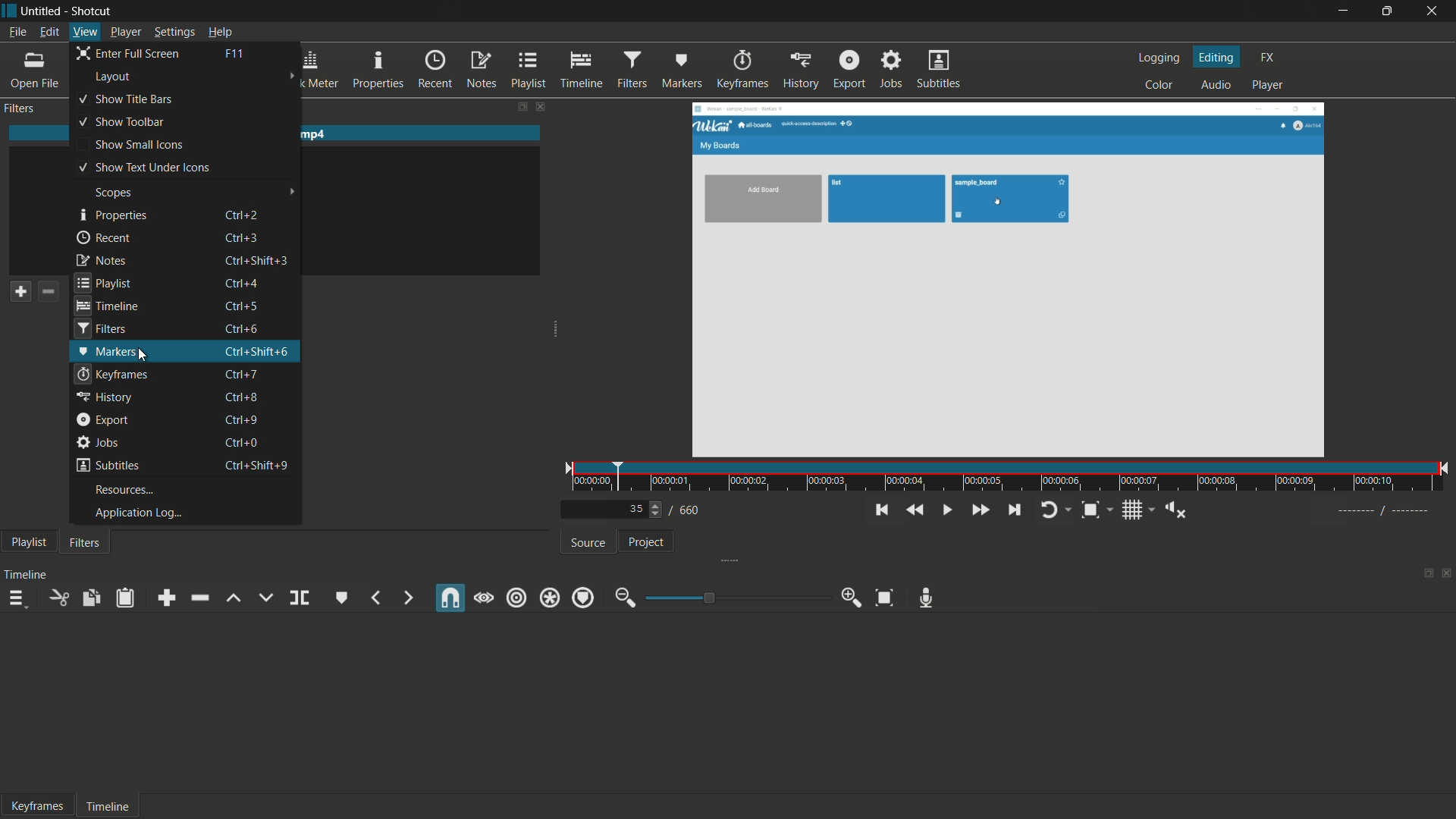  What do you see at coordinates (234, 598) in the screenshot?
I see `lift` at bounding box center [234, 598].